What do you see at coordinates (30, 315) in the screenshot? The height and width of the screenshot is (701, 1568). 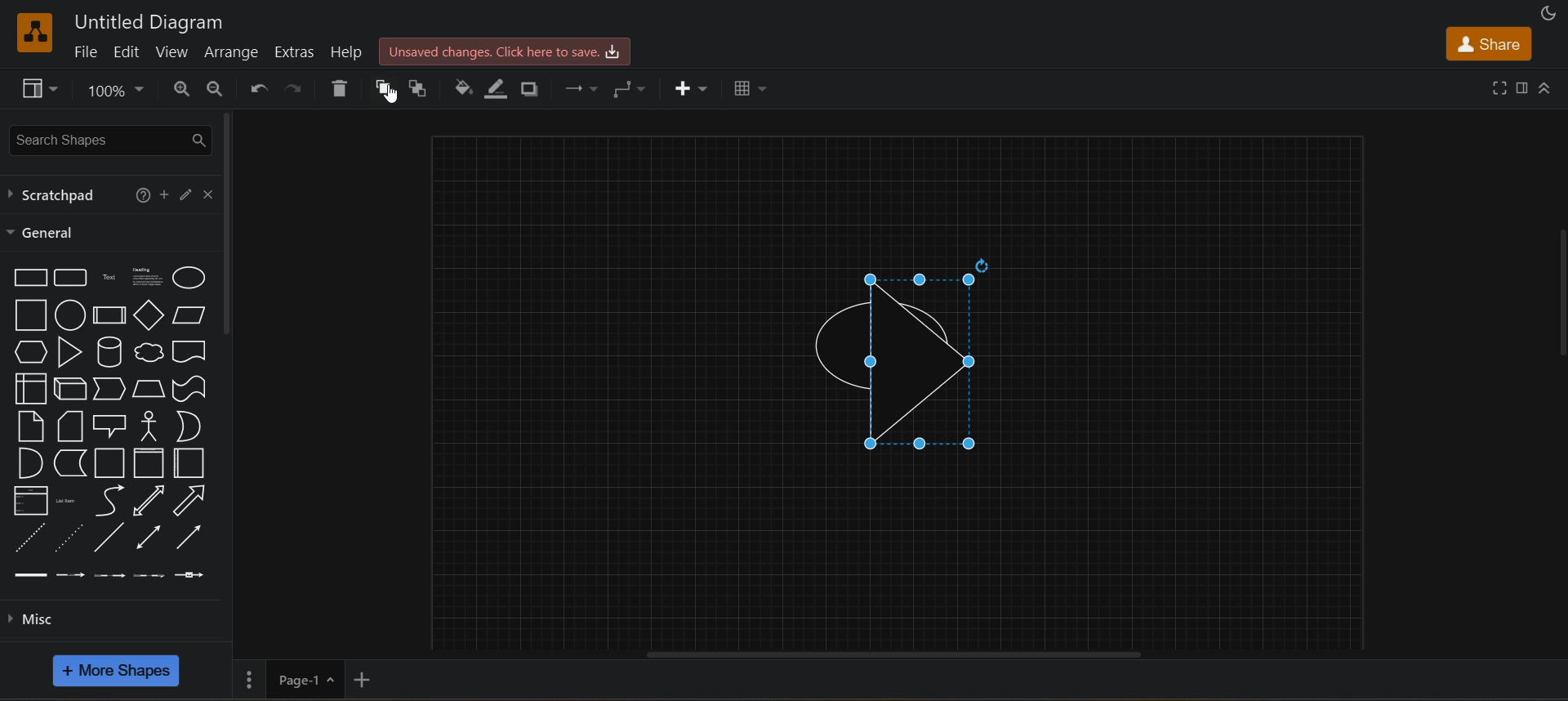 I see `square` at bounding box center [30, 315].